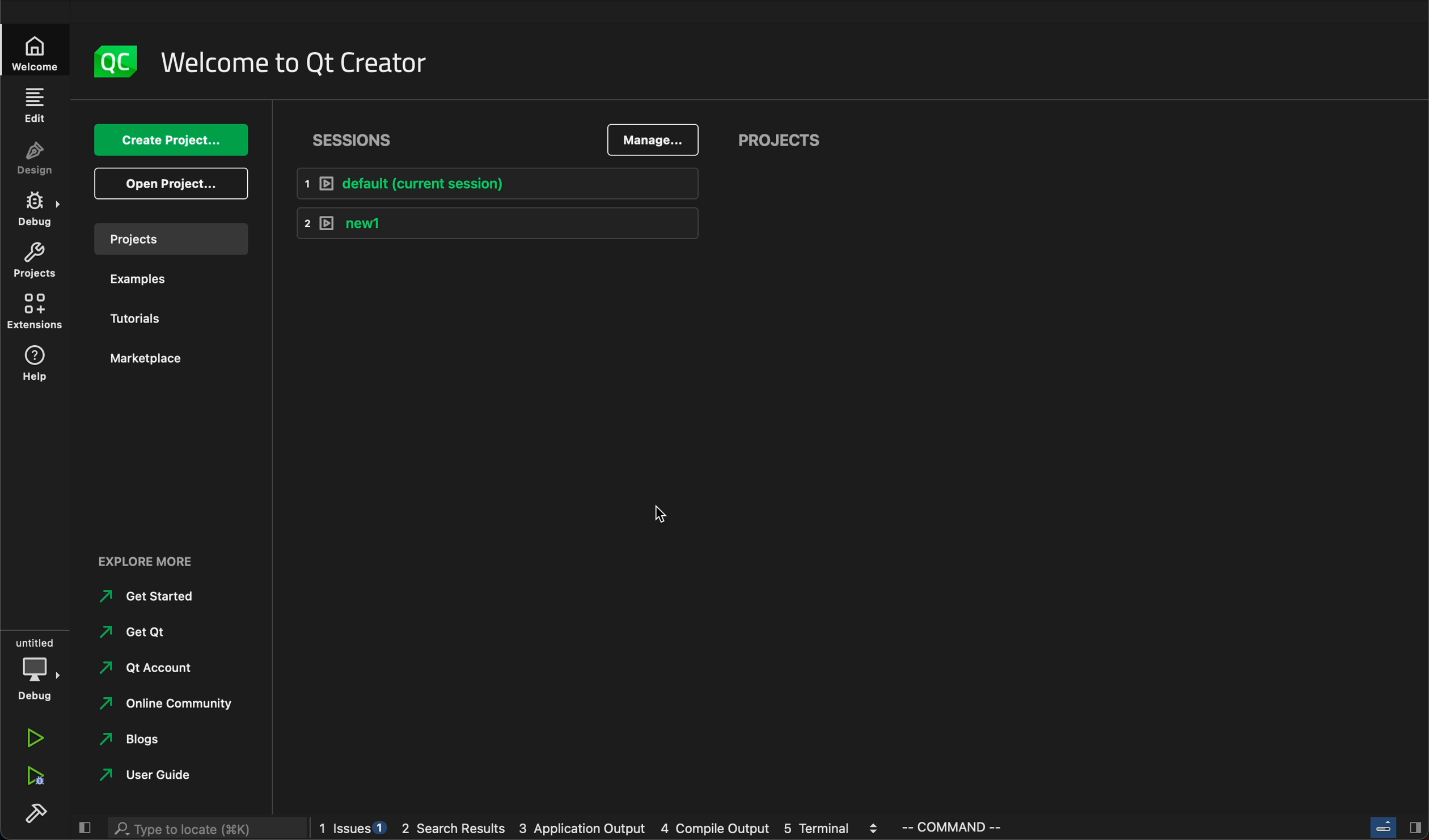 This screenshot has width=1429, height=840. Describe the element at coordinates (173, 707) in the screenshot. I see `community` at that location.